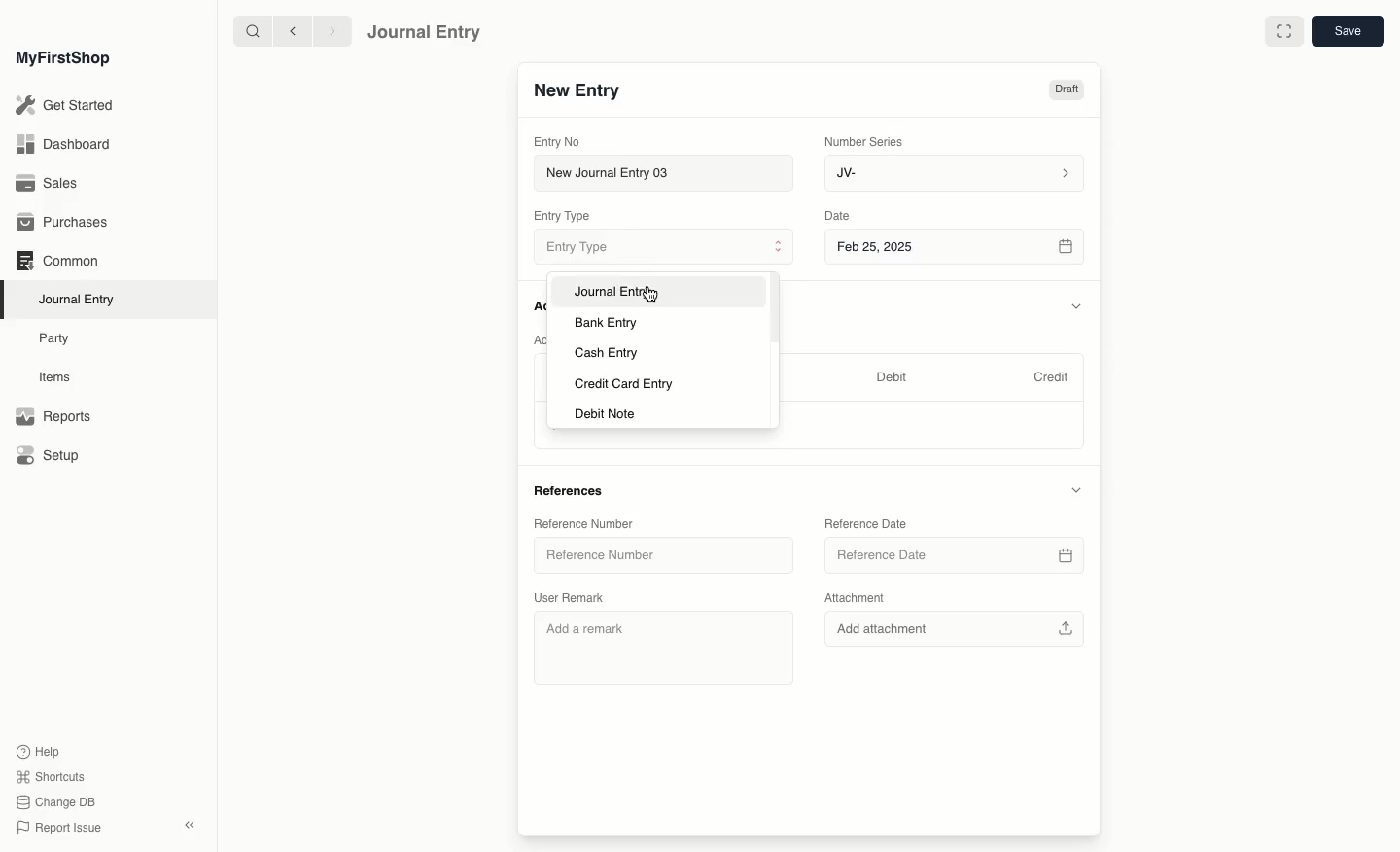  I want to click on New Entry, so click(577, 91).